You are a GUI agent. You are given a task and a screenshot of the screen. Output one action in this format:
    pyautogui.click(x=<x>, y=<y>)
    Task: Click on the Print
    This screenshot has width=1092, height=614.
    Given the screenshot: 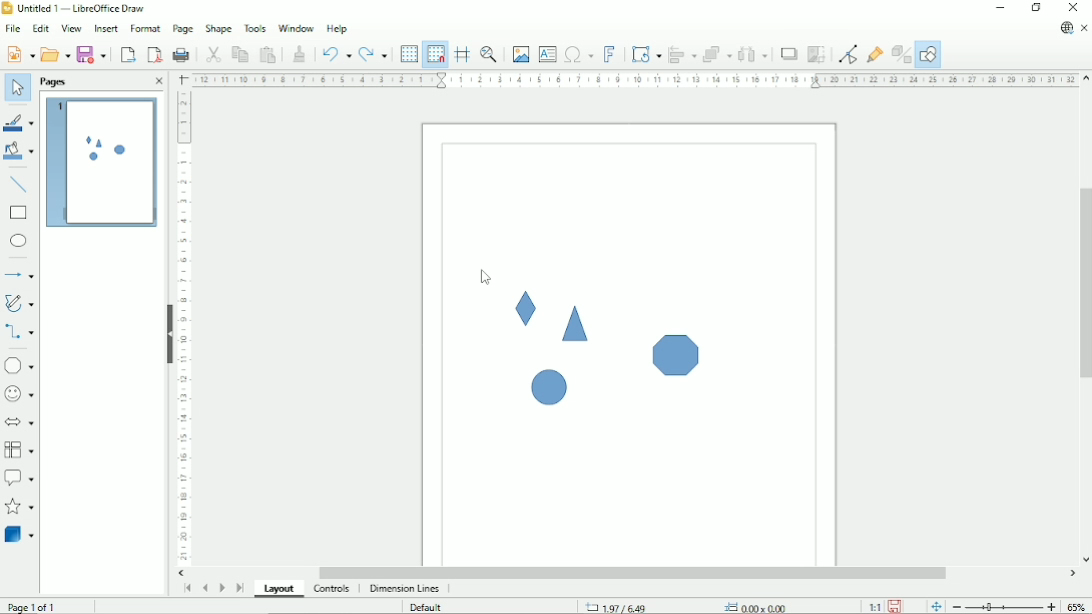 What is the action you would take?
    pyautogui.click(x=181, y=52)
    